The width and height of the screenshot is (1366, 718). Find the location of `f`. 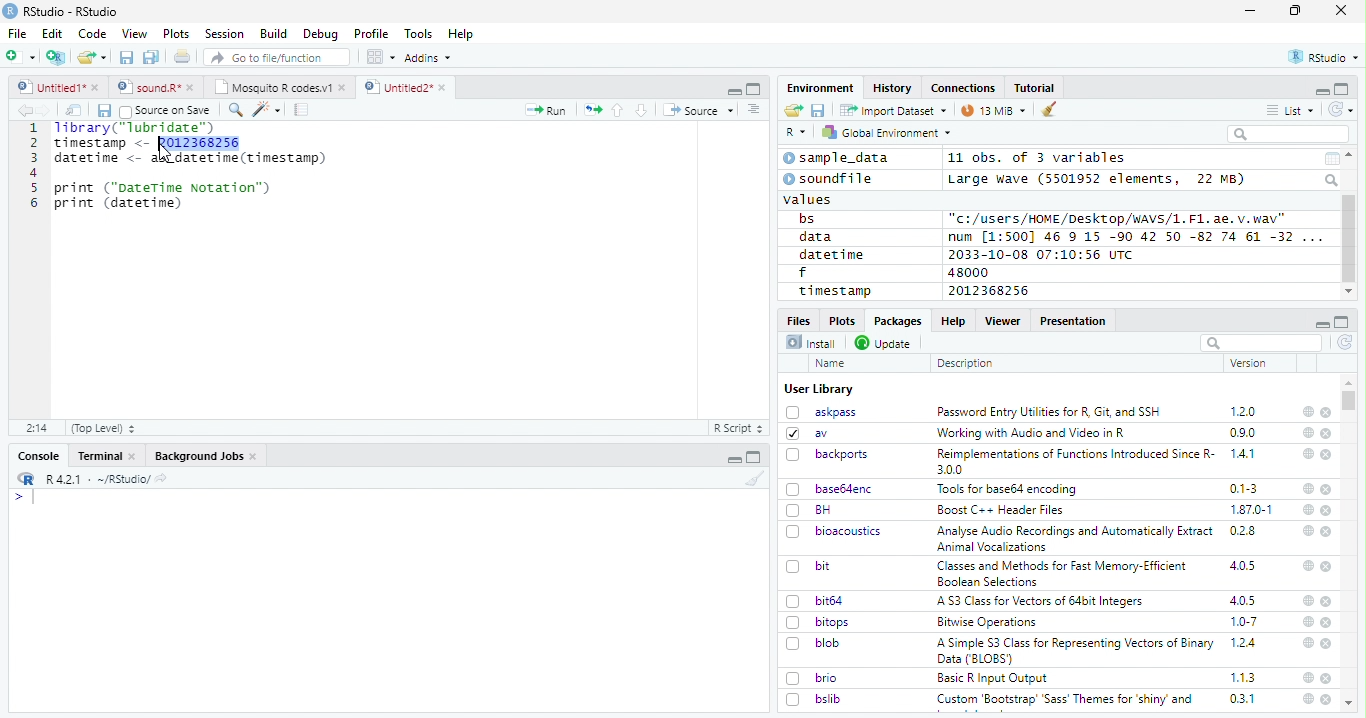

f is located at coordinates (803, 273).